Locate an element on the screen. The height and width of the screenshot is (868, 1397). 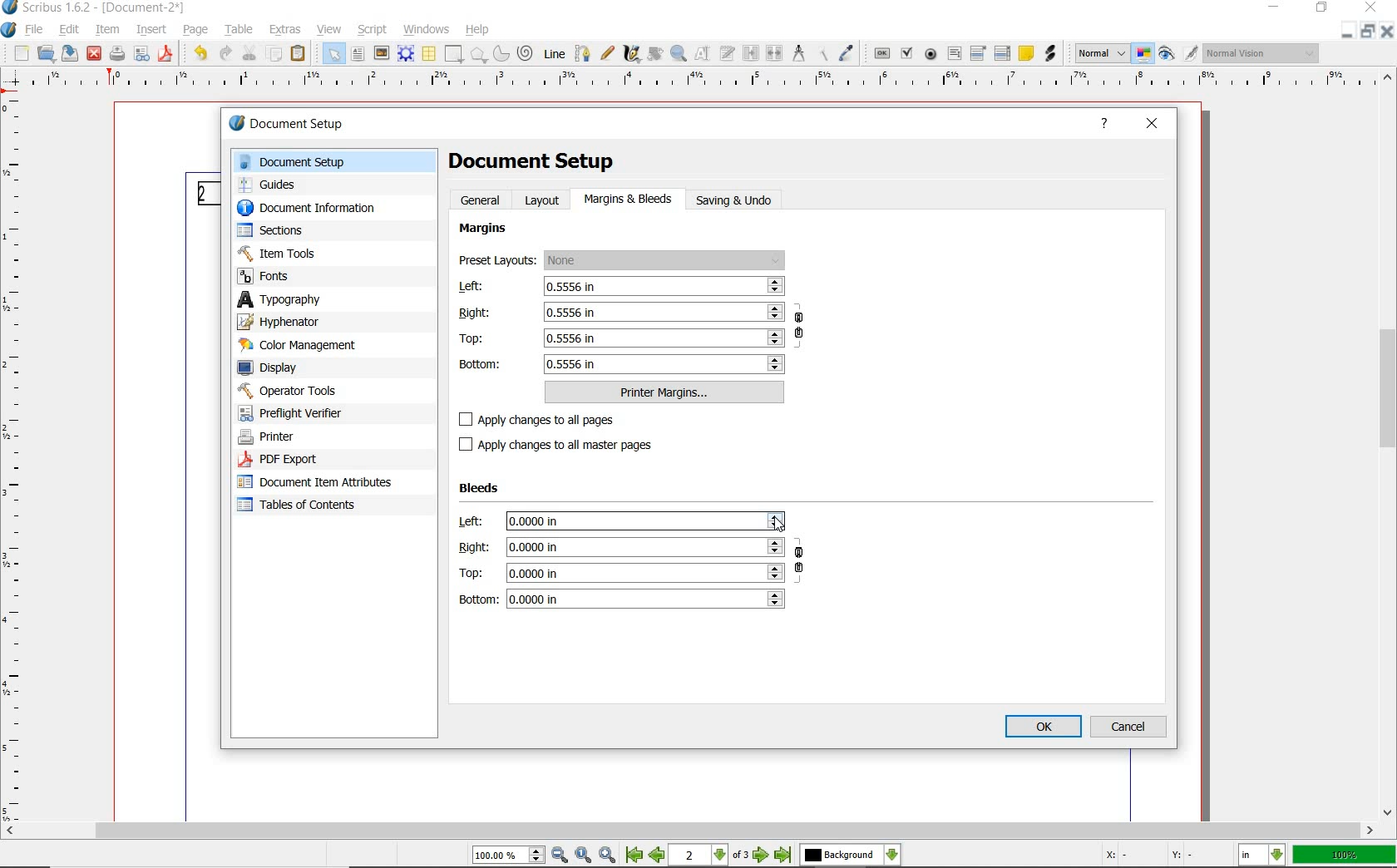
shape is located at coordinates (452, 55).